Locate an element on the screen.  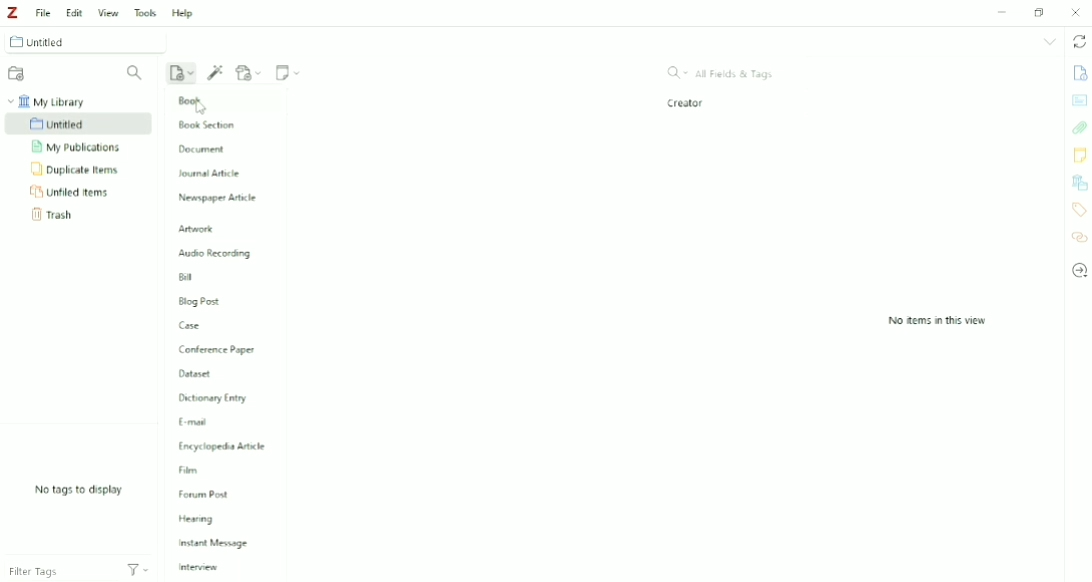
Dictionary Entry is located at coordinates (215, 398).